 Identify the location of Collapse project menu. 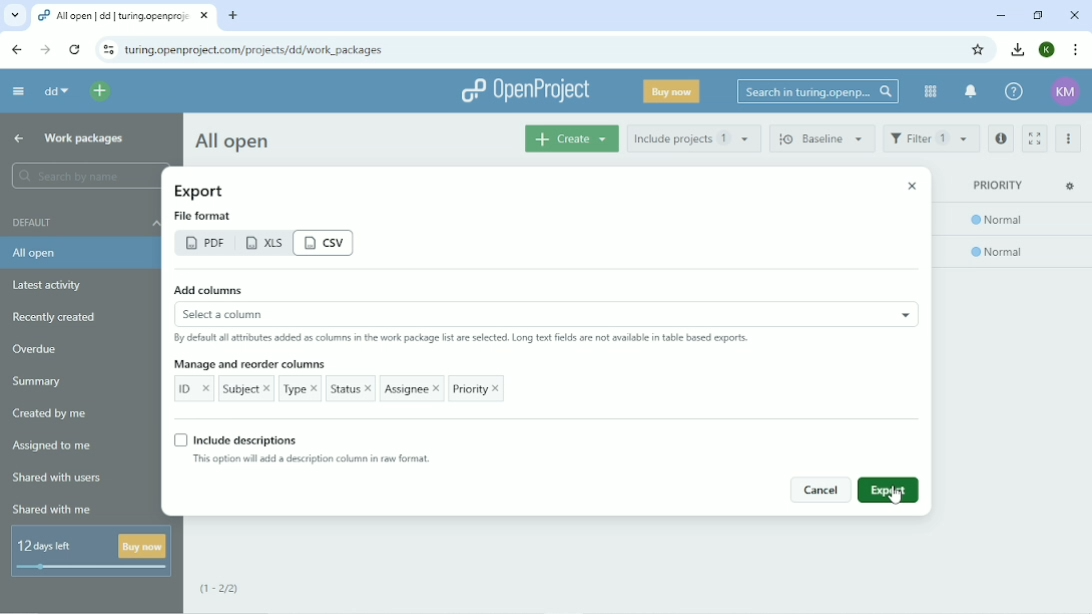
(18, 91).